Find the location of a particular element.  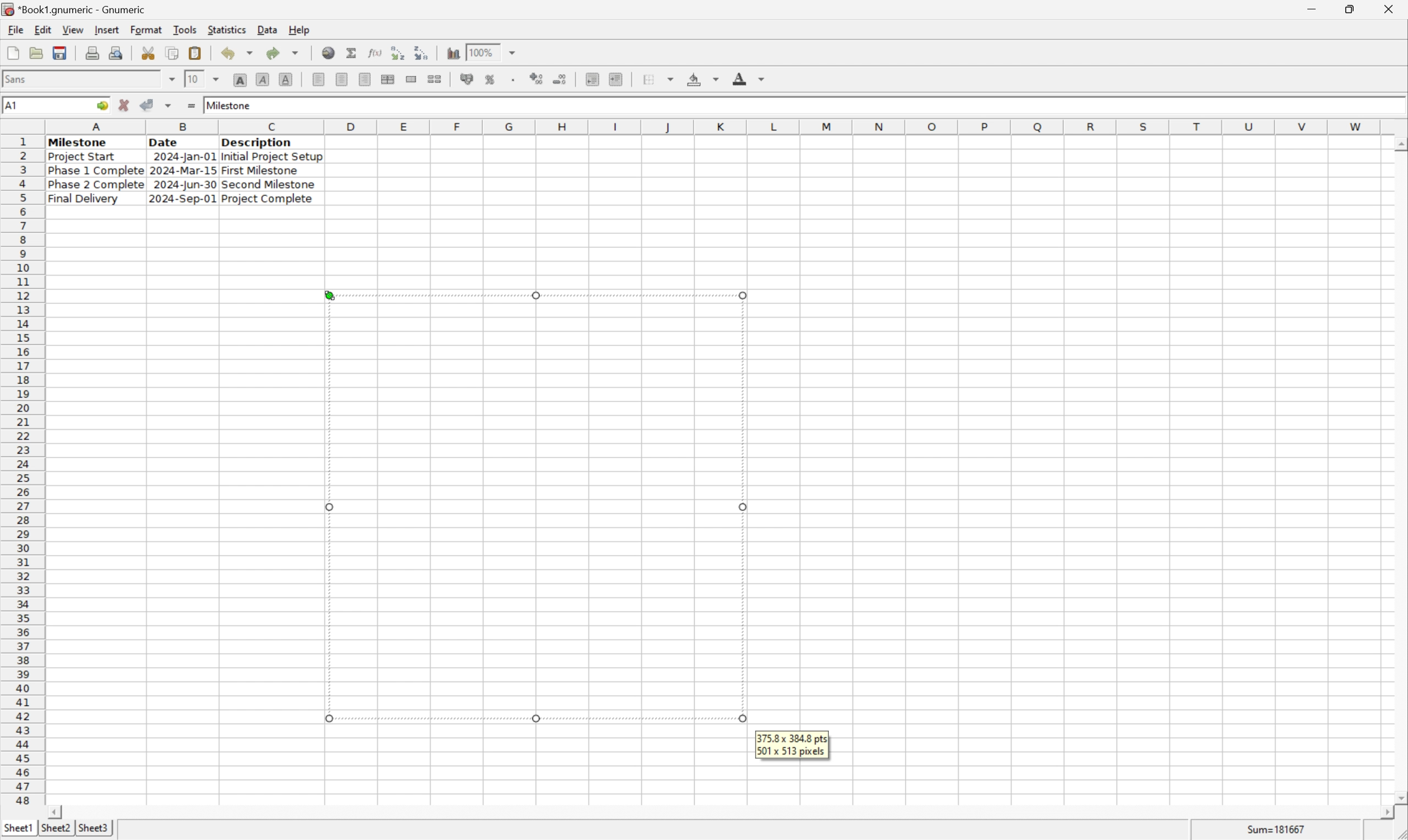

format selection as accouting is located at coordinates (468, 79).